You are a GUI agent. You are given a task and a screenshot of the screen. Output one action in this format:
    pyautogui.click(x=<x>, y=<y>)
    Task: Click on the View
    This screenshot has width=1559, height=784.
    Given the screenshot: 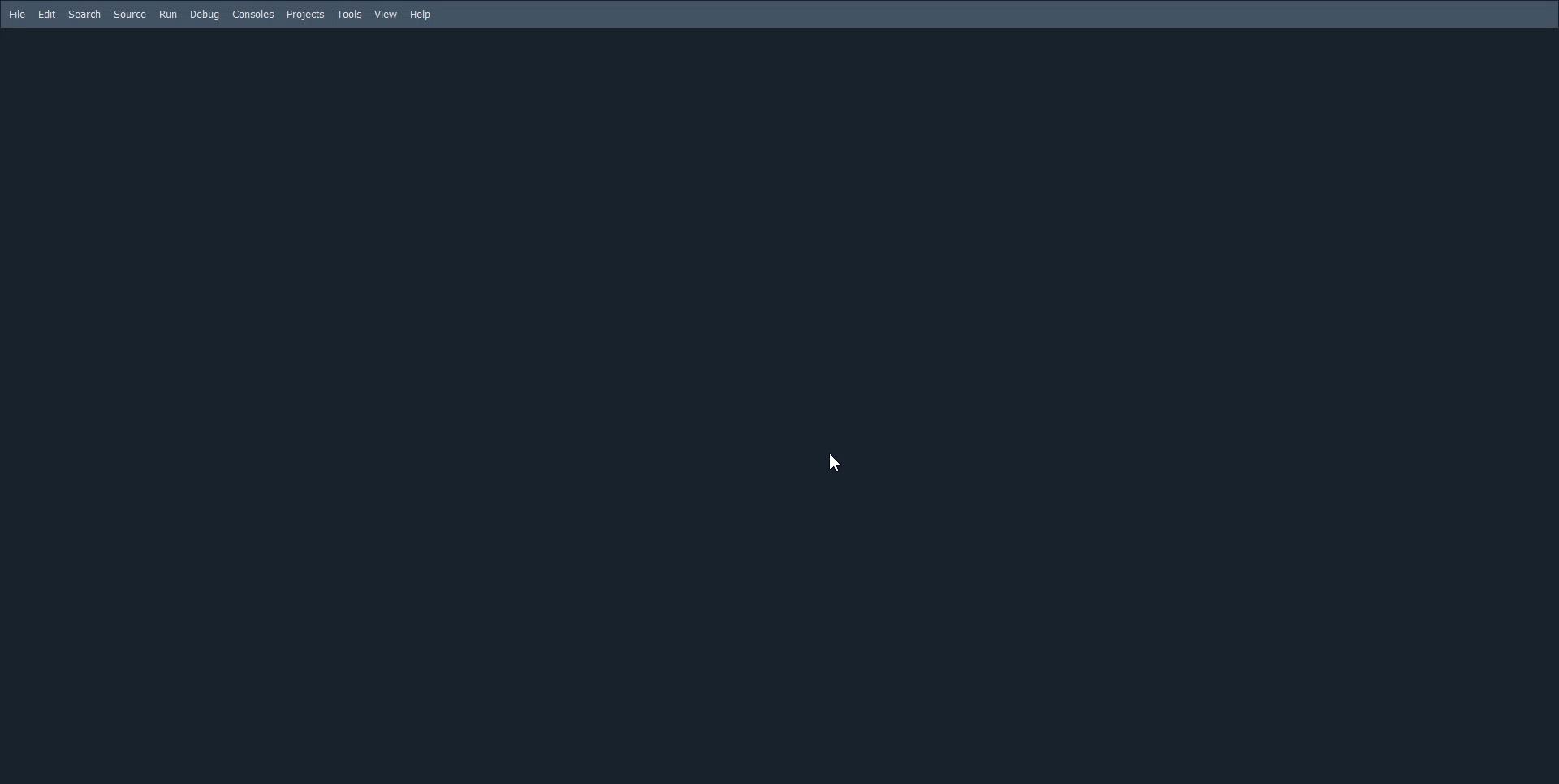 What is the action you would take?
    pyautogui.click(x=387, y=15)
    